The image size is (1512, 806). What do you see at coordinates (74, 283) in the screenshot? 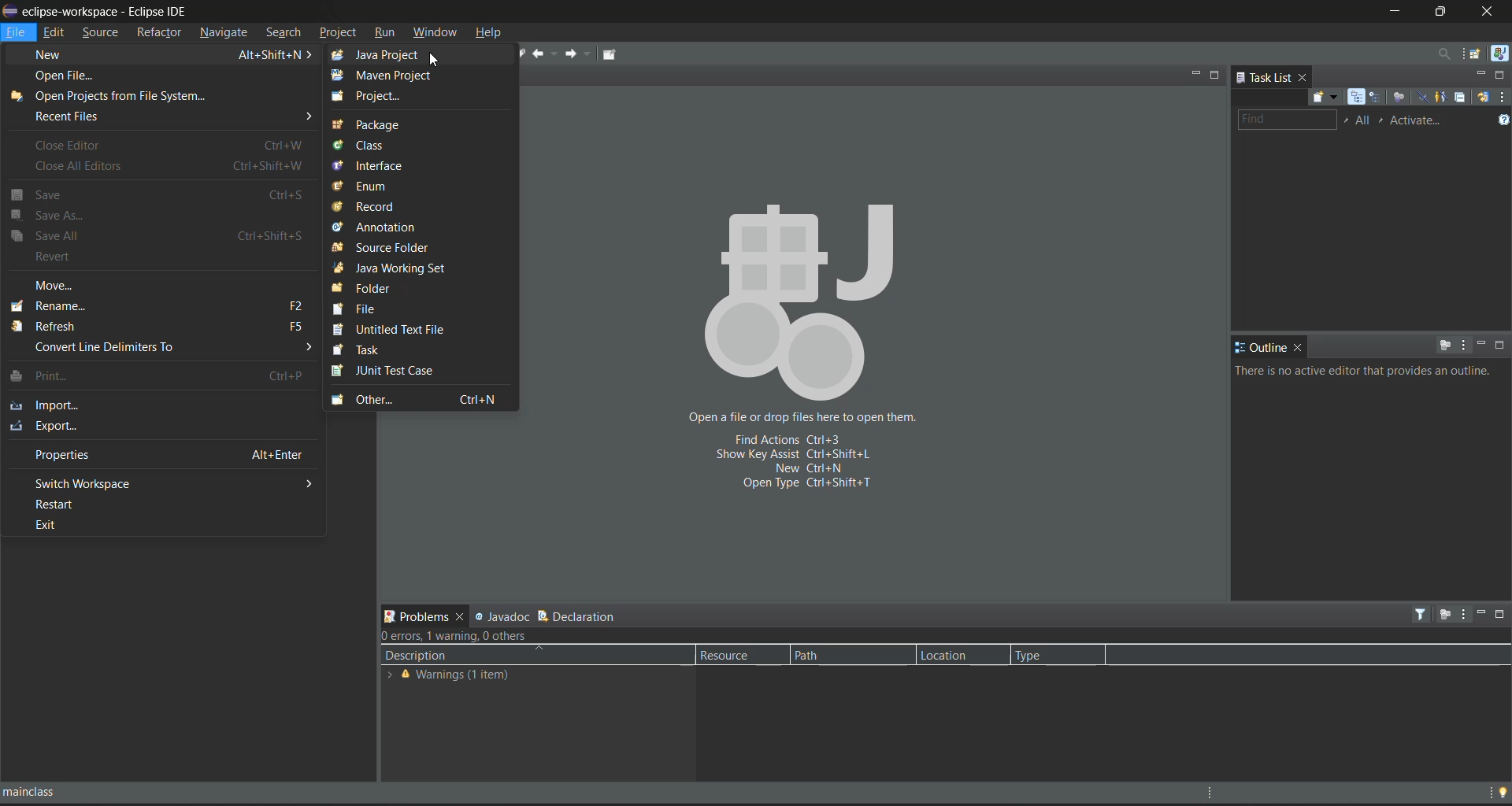
I see `move` at bounding box center [74, 283].